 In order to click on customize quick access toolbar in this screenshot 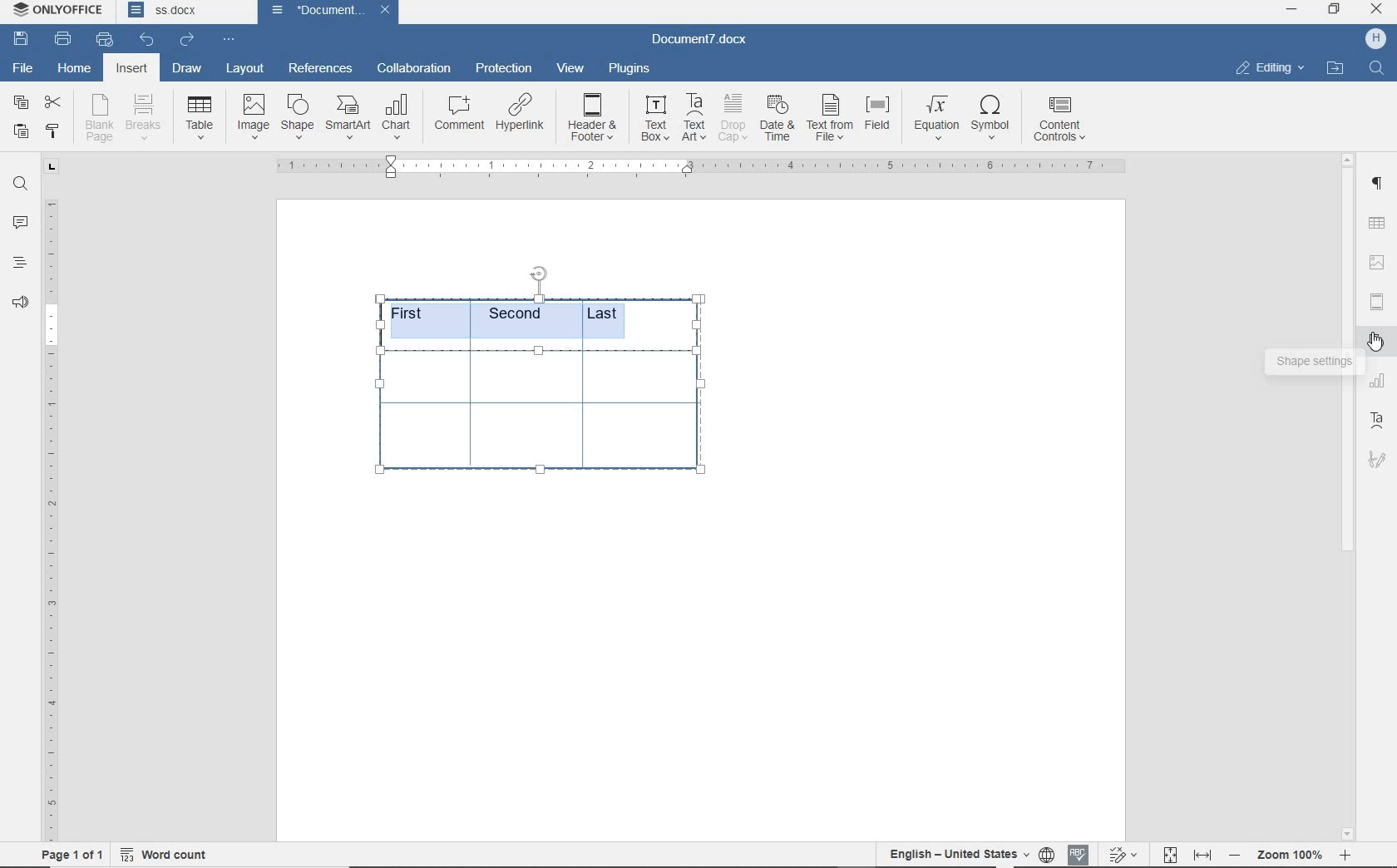, I will do `click(228, 40)`.